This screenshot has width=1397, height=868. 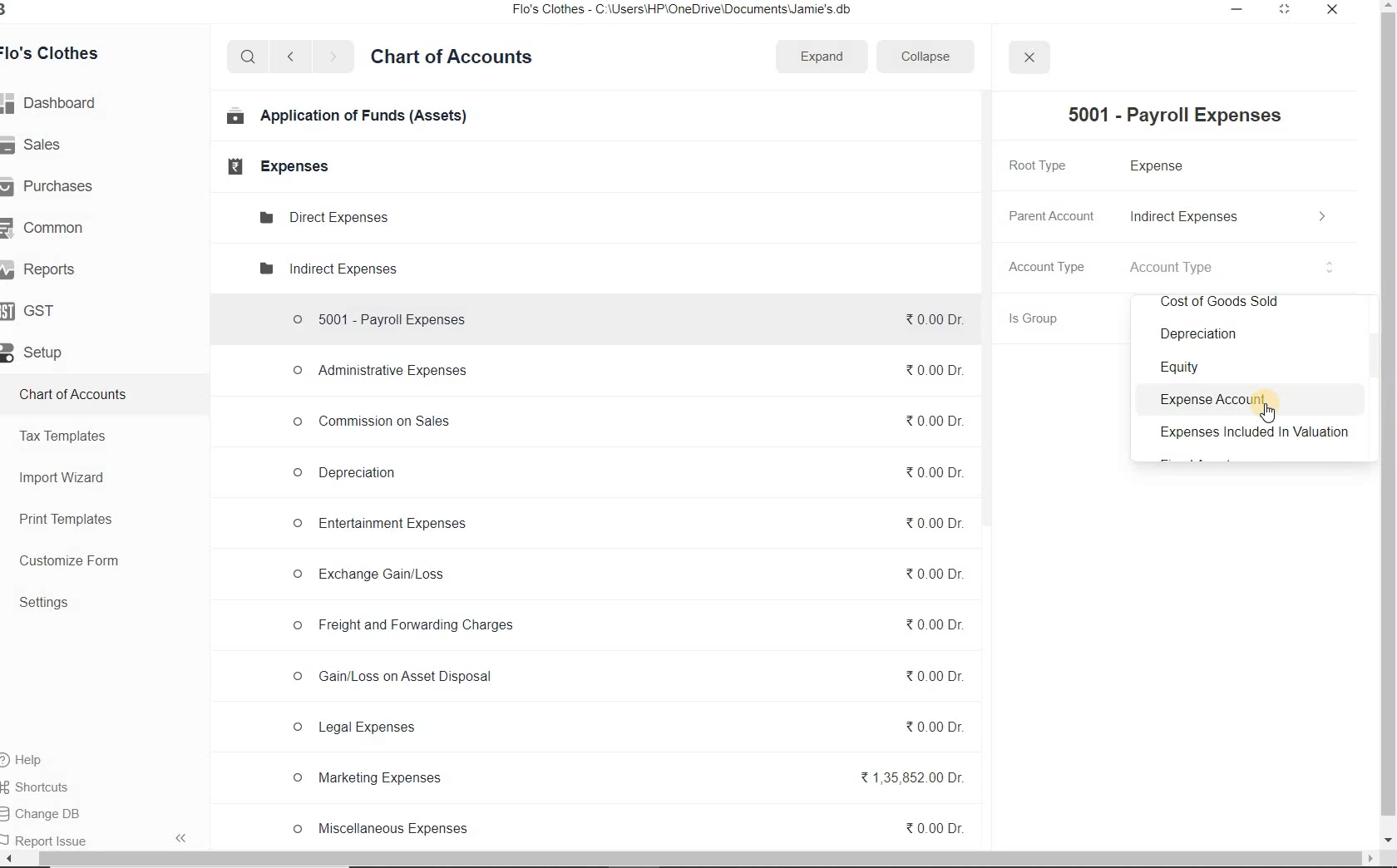 What do you see at coordinates (37, 311) in the screenshot?
I see `GST` at bounding box center [37, 311].